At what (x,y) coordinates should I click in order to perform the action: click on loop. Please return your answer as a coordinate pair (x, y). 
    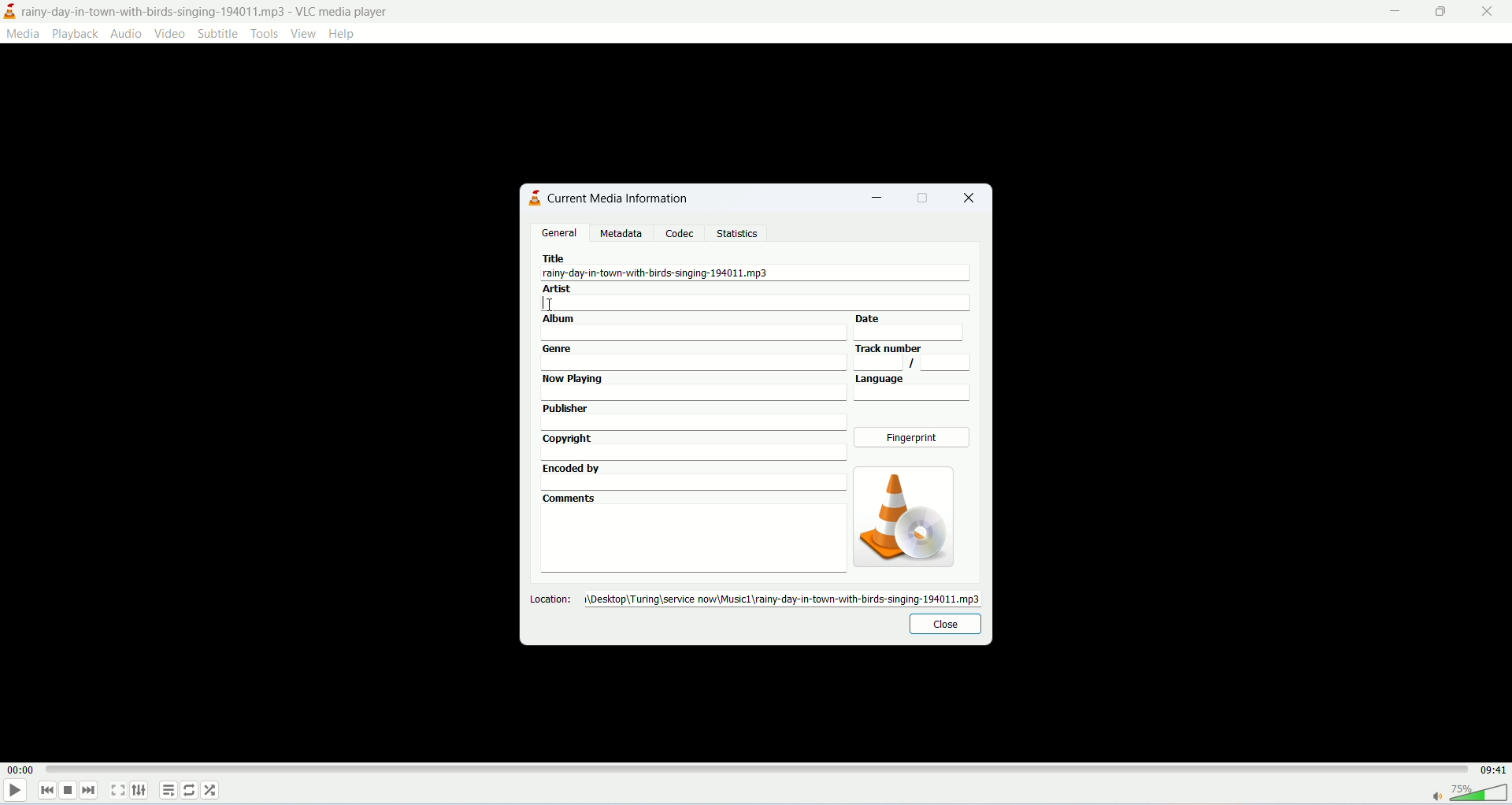
    Looking at the image, I should click on (191, 790).